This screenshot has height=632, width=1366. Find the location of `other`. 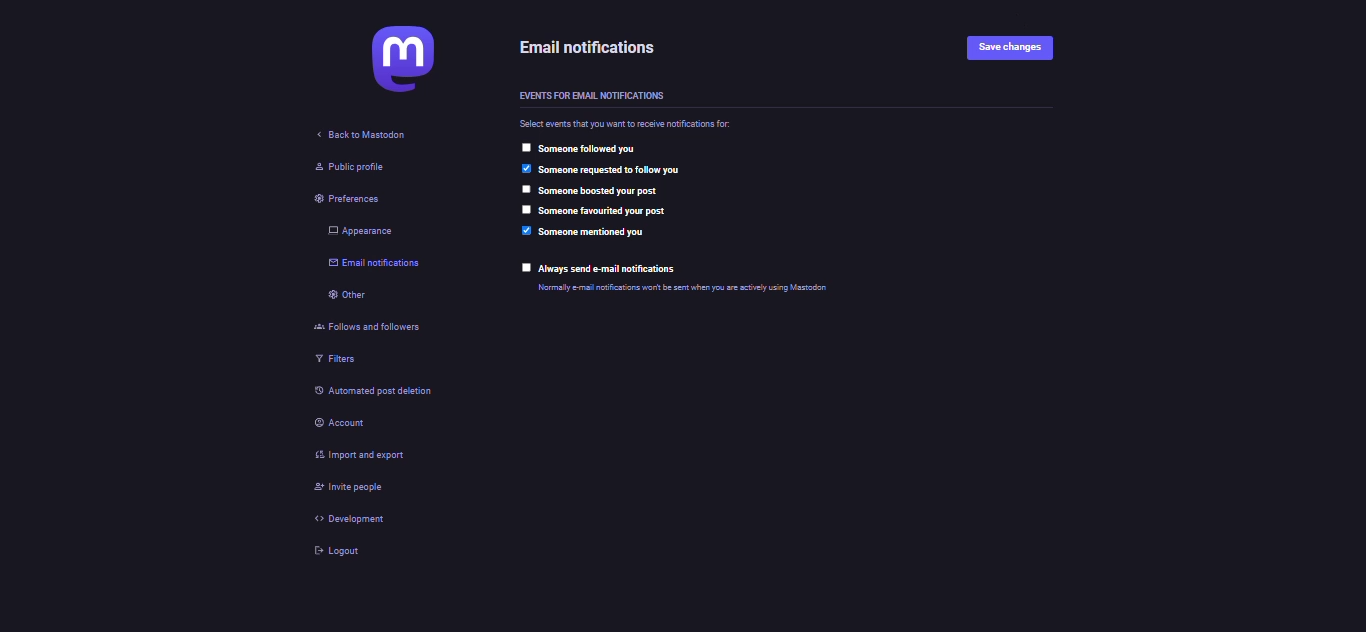

other is located at coordinates (349, 295).